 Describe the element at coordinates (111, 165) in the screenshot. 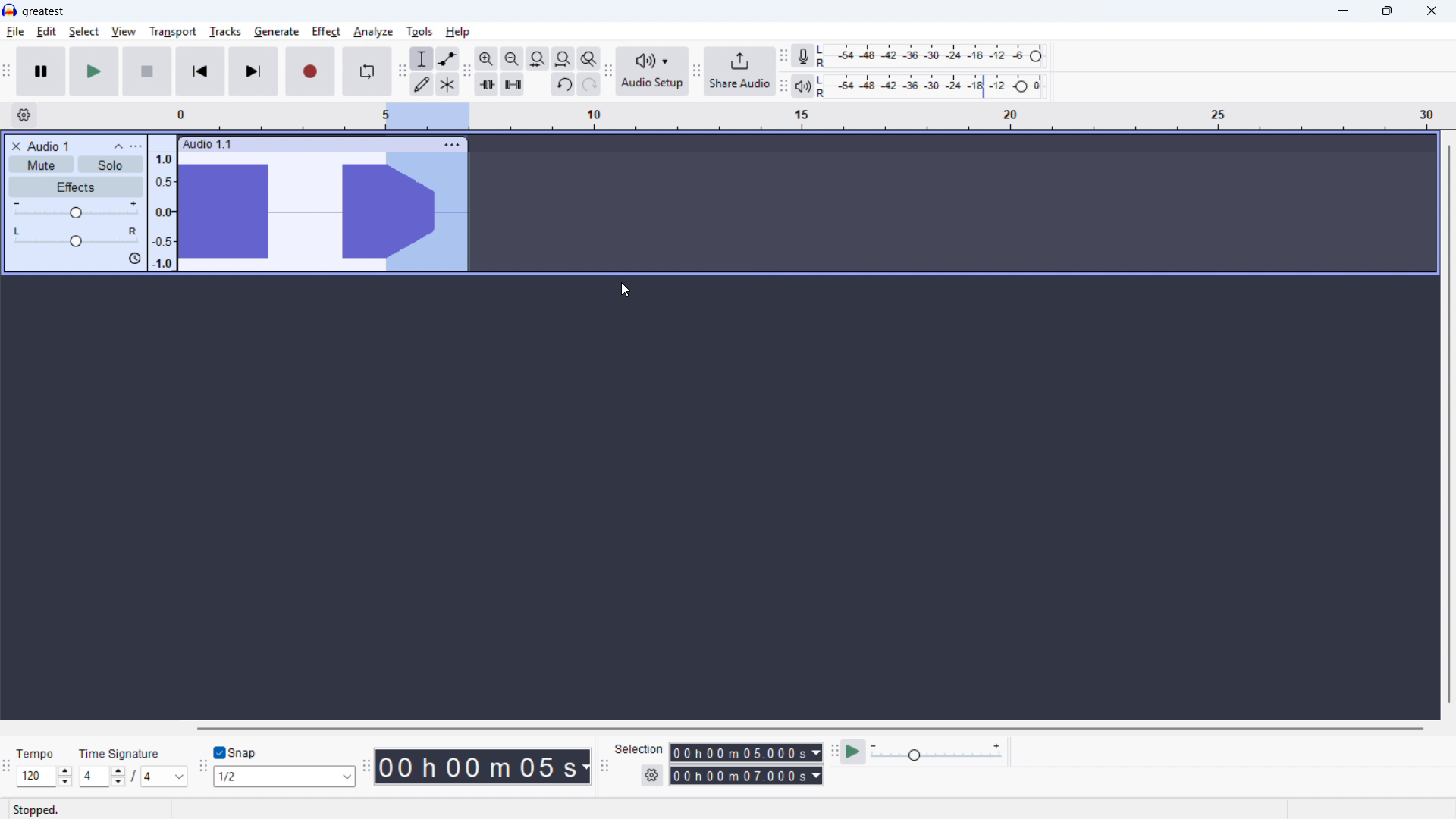

I see `Solo ` at that location.